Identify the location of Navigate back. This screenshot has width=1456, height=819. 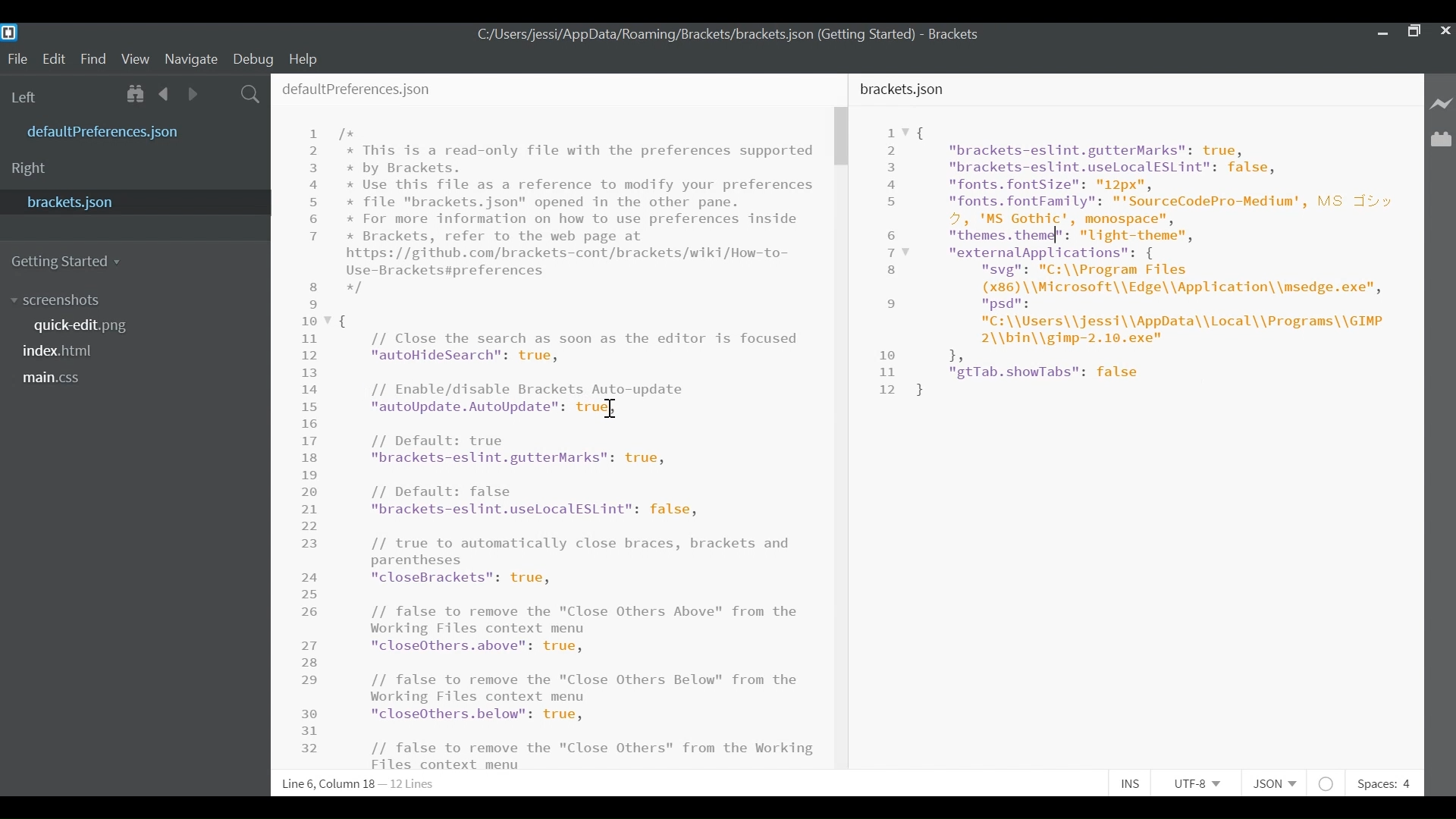
(165, 93).